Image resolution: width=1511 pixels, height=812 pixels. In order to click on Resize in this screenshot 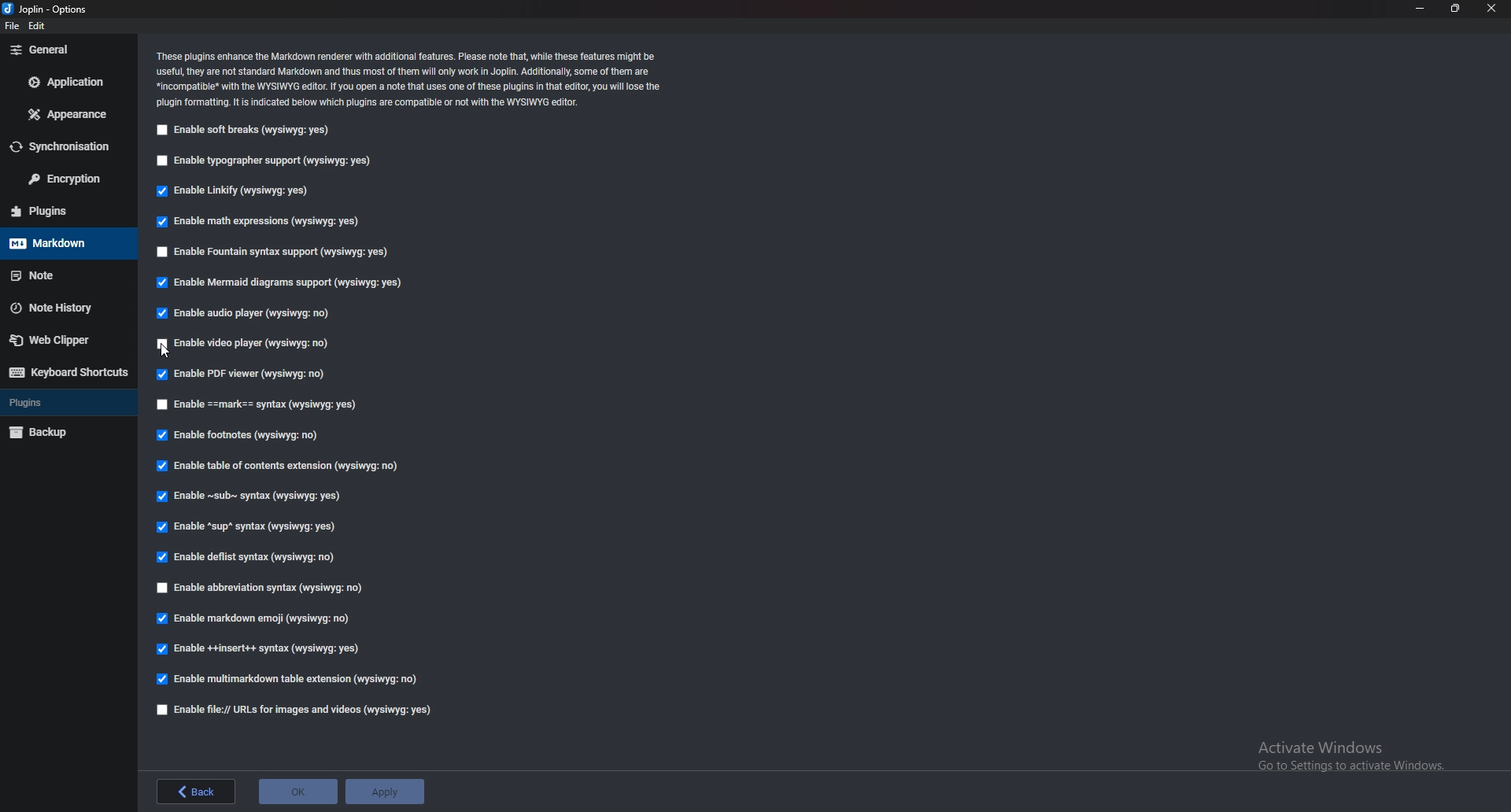, I will do `click(1454, 9)`.